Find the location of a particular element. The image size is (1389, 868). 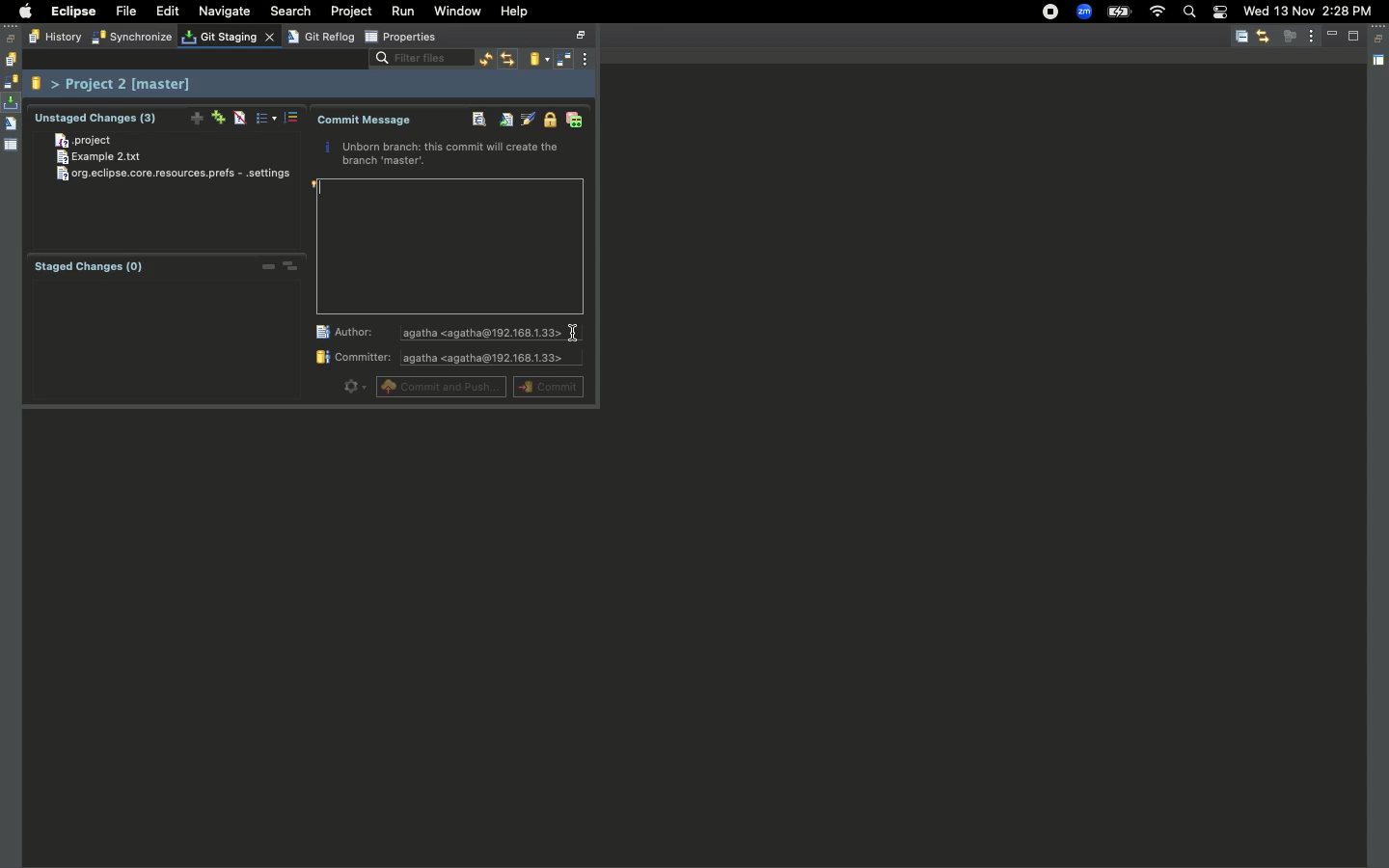

Remove all files is located at coordinates (292, 266).